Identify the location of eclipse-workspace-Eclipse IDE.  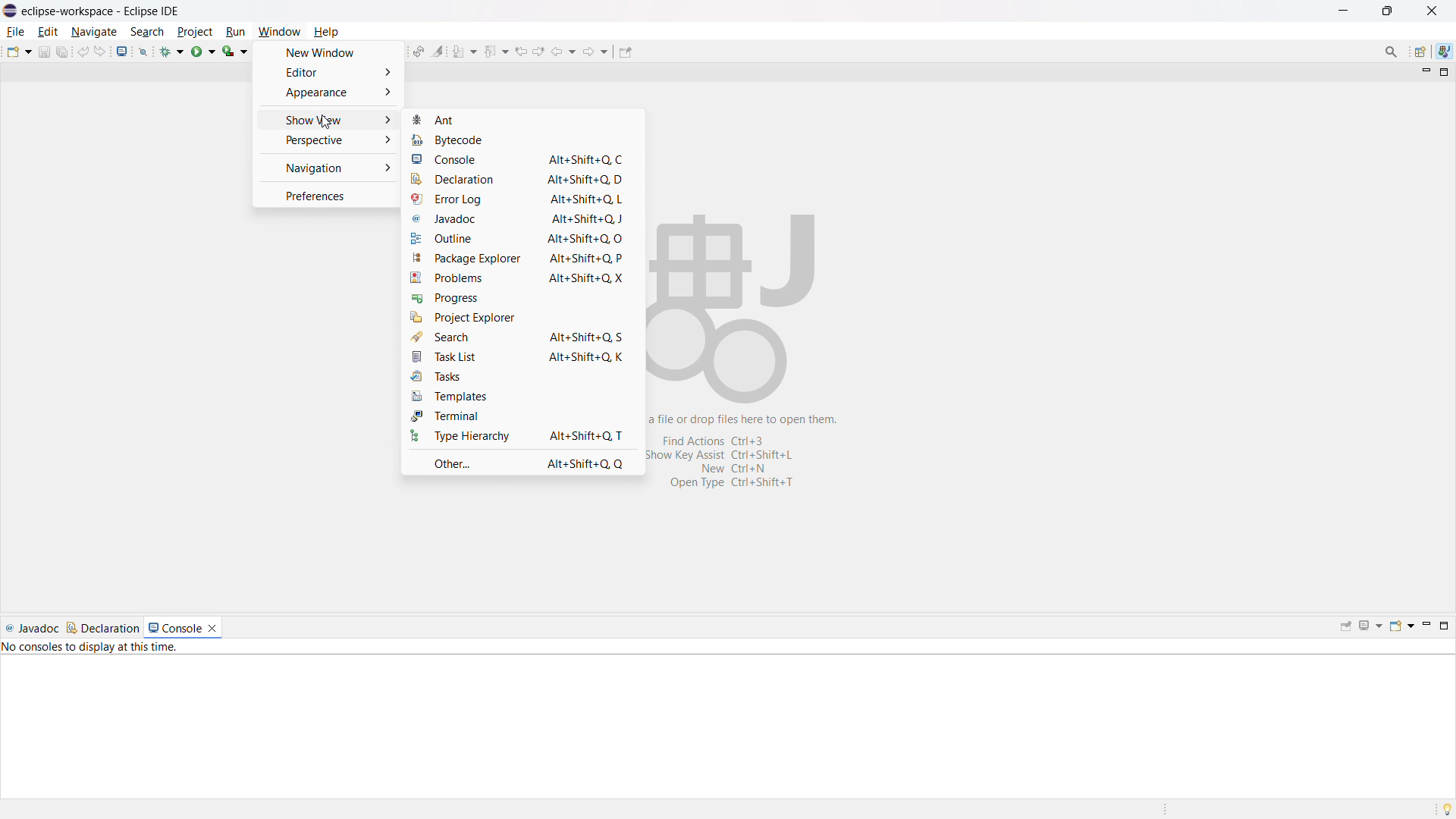
(100, 11).